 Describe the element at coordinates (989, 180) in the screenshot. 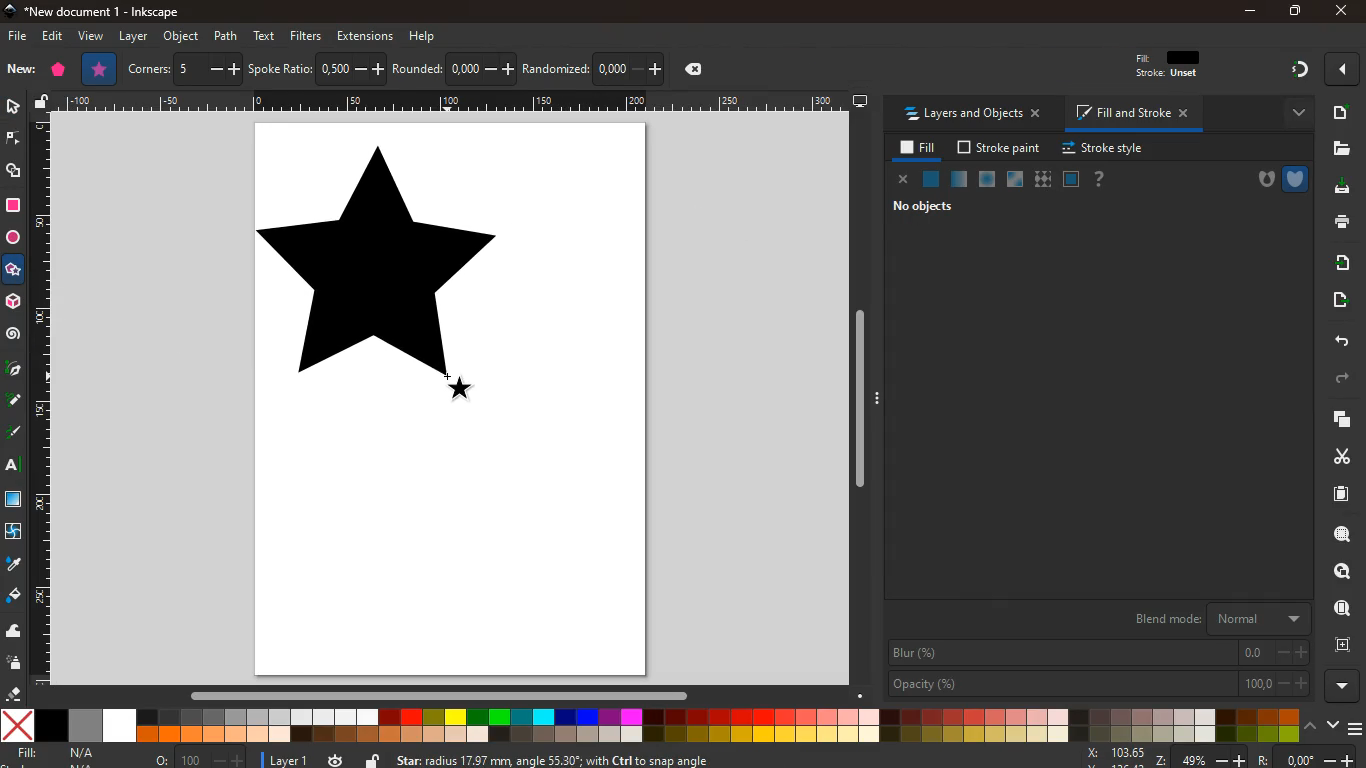

I see `ice` at that location.